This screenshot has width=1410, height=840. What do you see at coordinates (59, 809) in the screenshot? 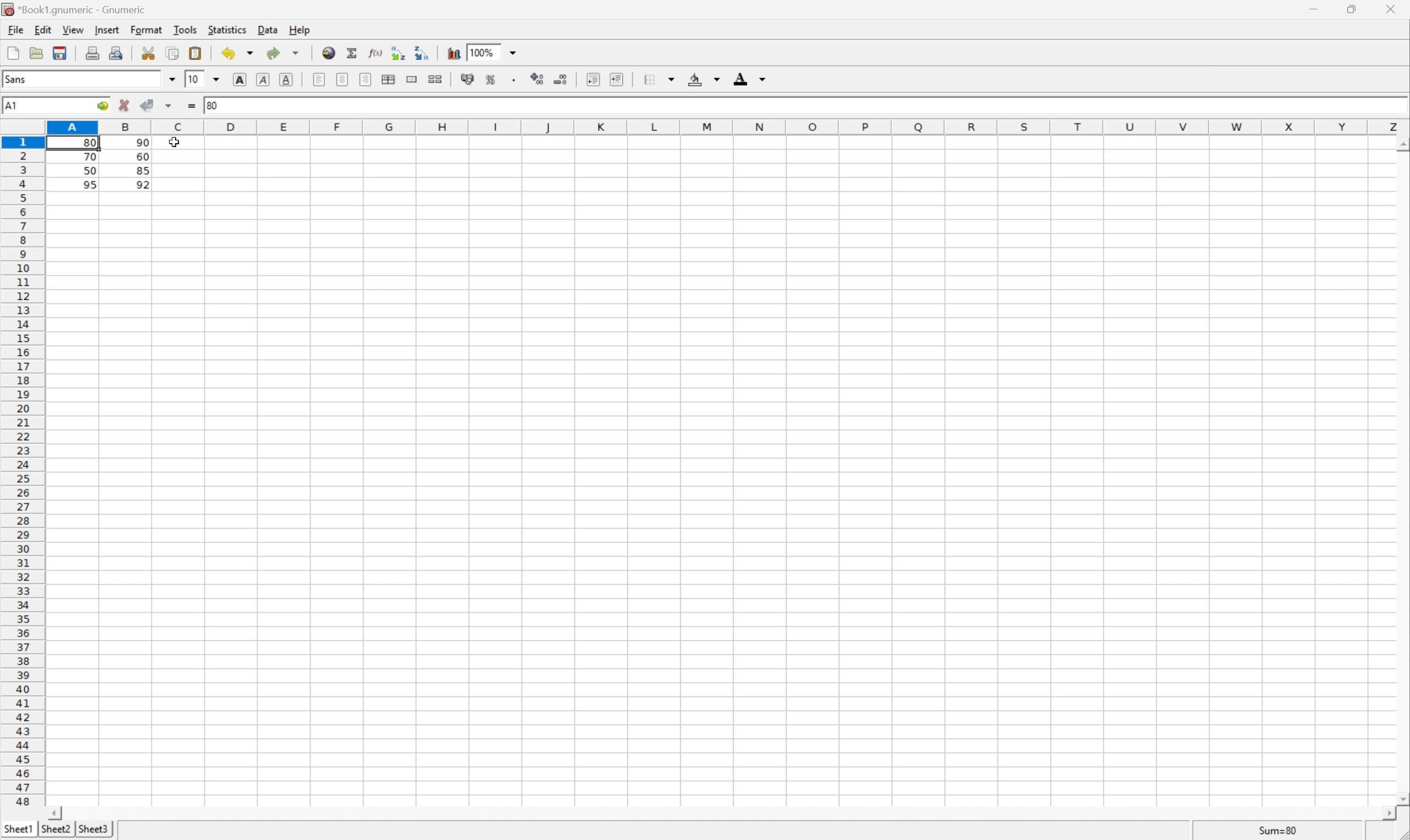
I see `Scroll Left` at bounding box center [59, 809].